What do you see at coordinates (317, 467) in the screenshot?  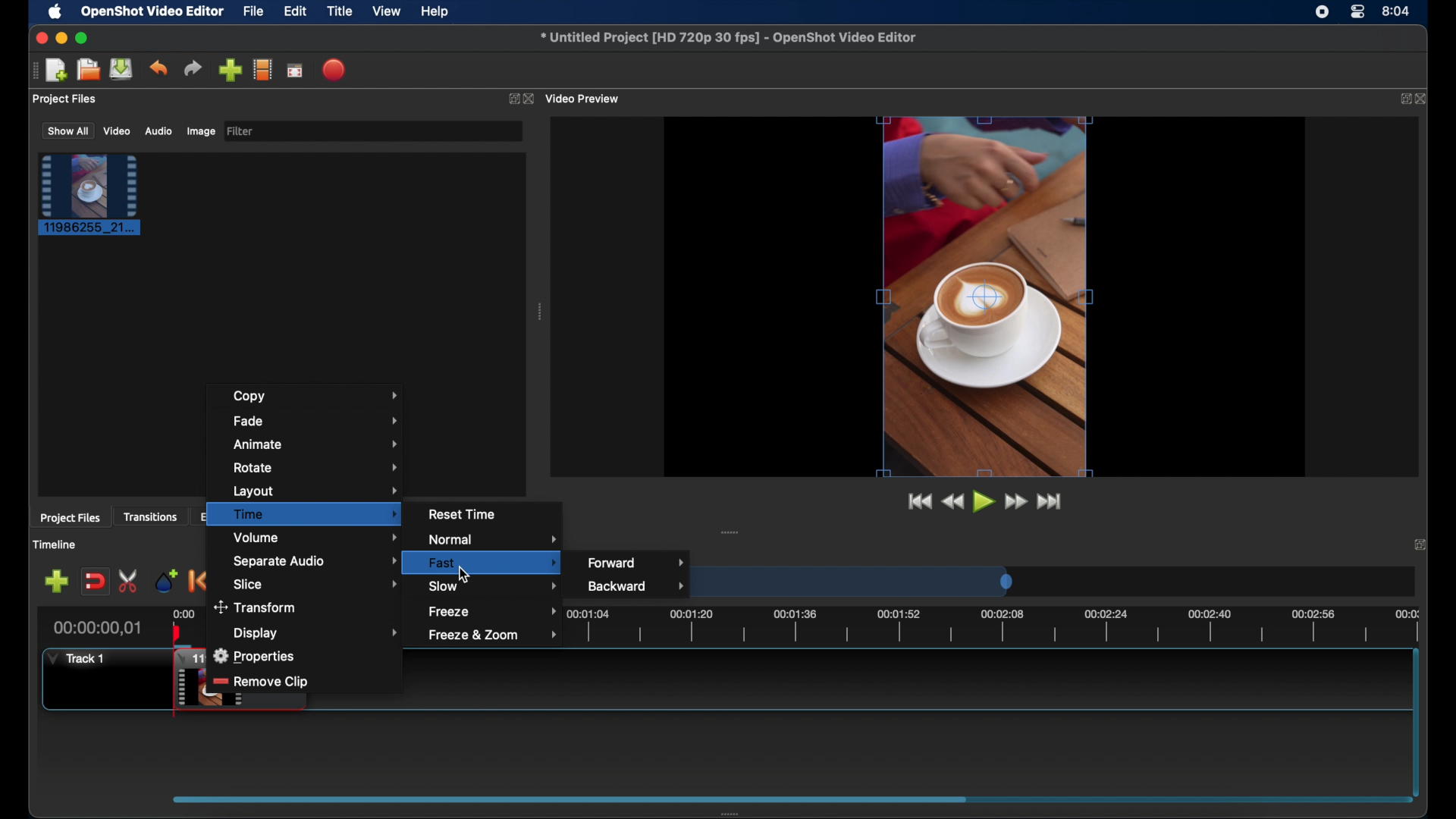 I see `rotate menu` at bounding box center [317, 467].